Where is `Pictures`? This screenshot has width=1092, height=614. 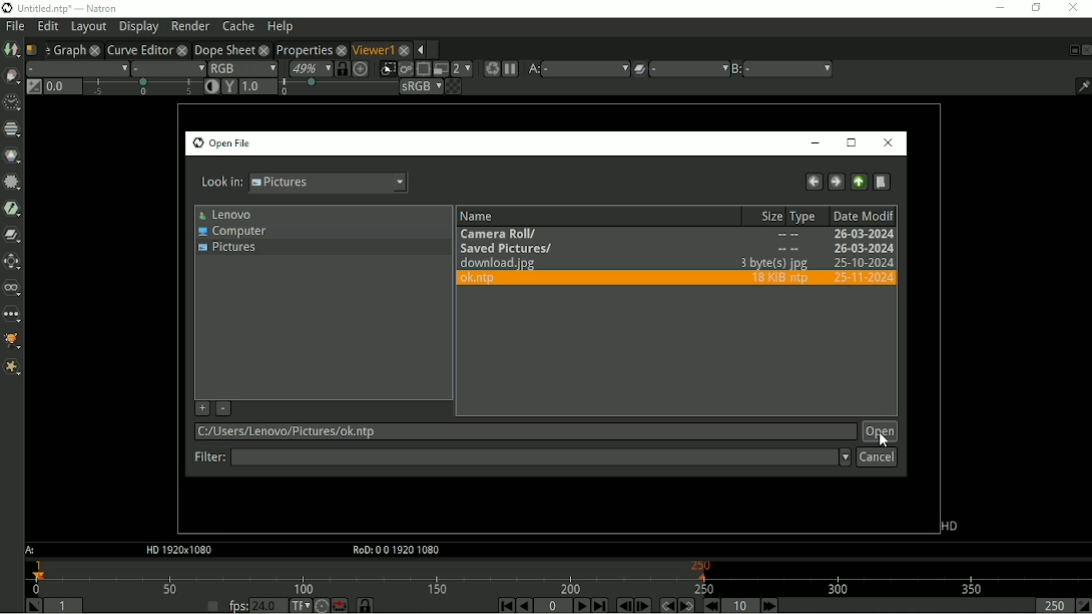 Pictures is located at coordinates (230, 249).